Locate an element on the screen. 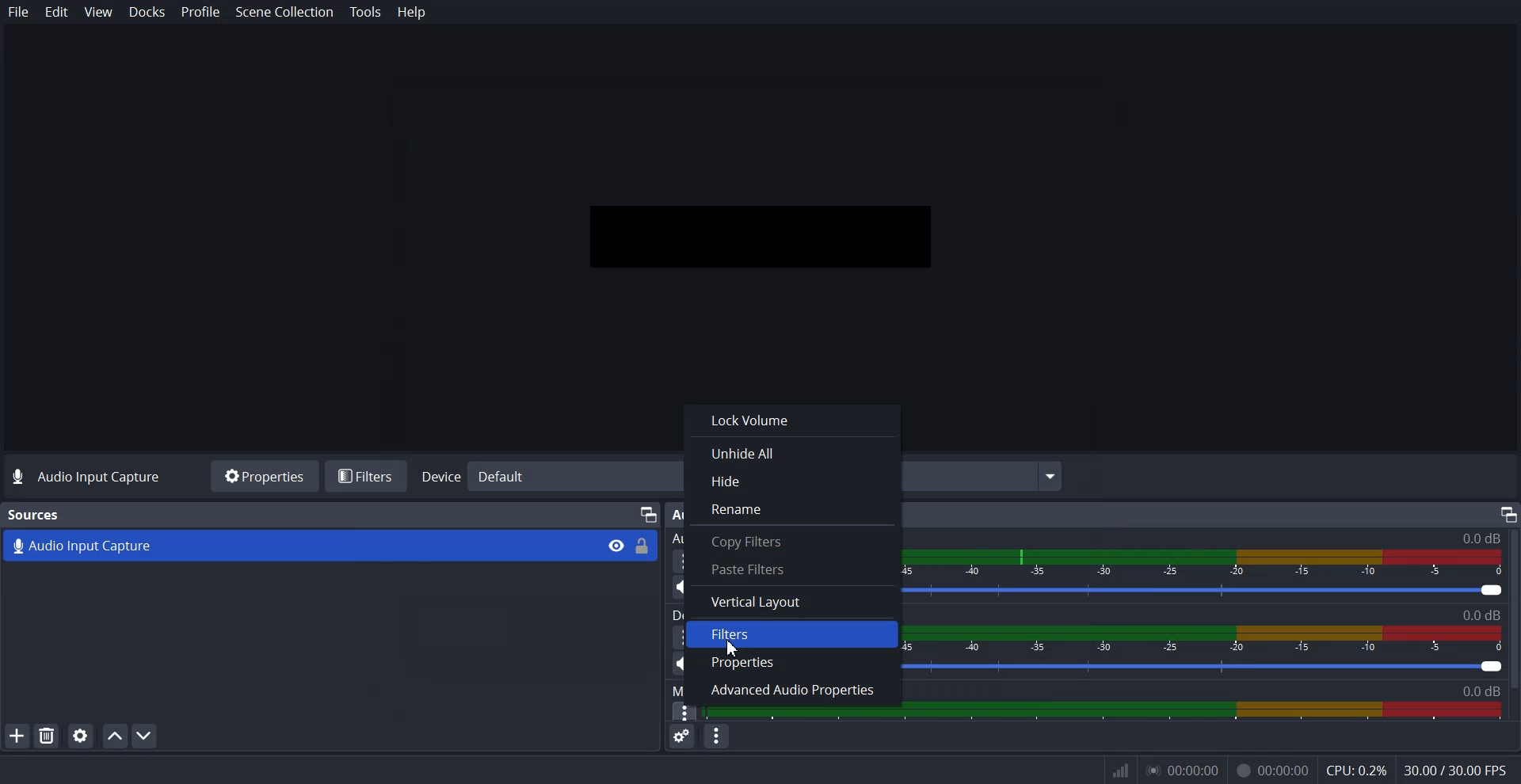  Device is located at coordinates (440, 478).